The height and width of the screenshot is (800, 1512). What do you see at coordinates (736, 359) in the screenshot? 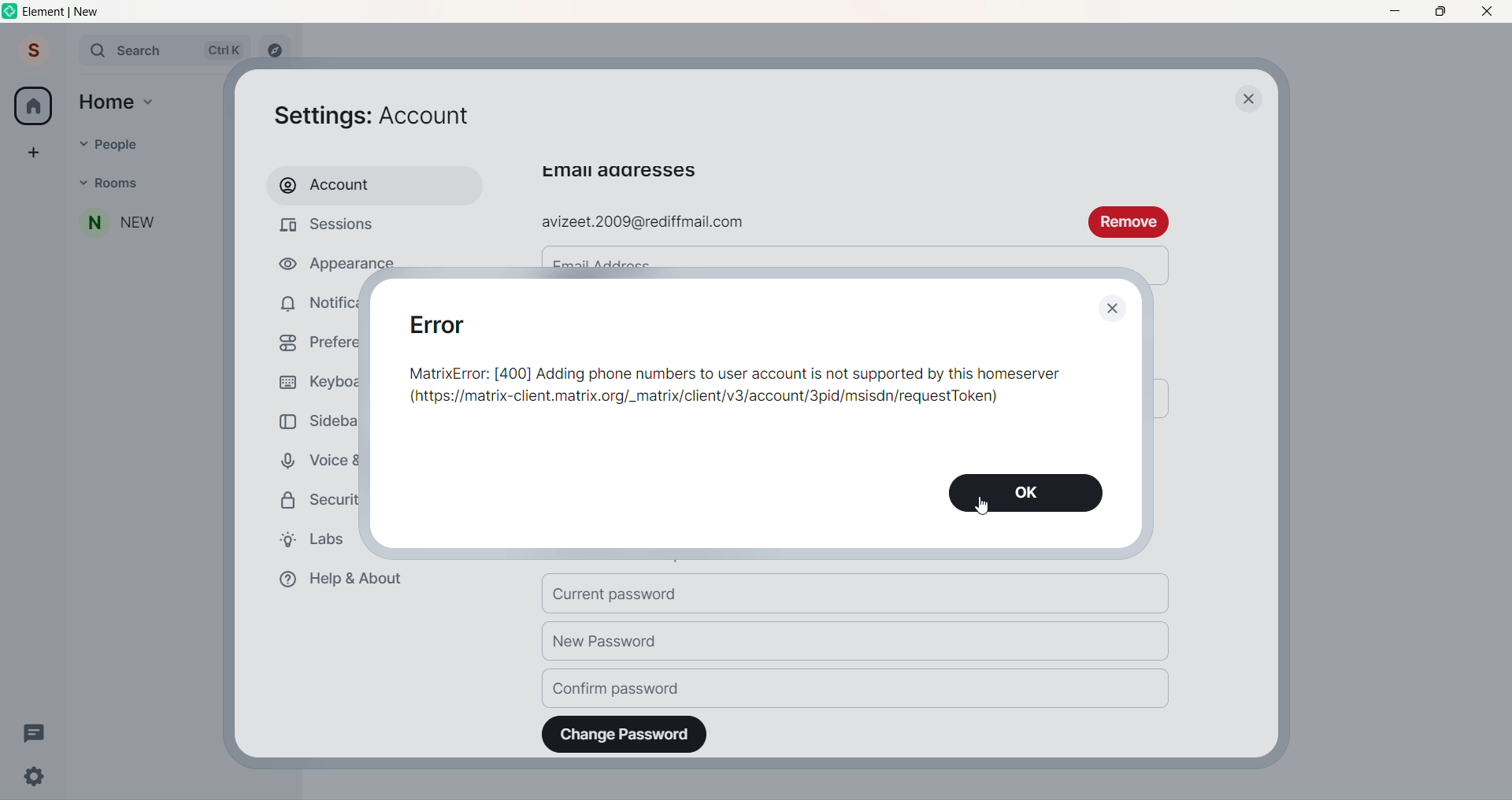
I see `Error Message` at bounding box center [736, 359].